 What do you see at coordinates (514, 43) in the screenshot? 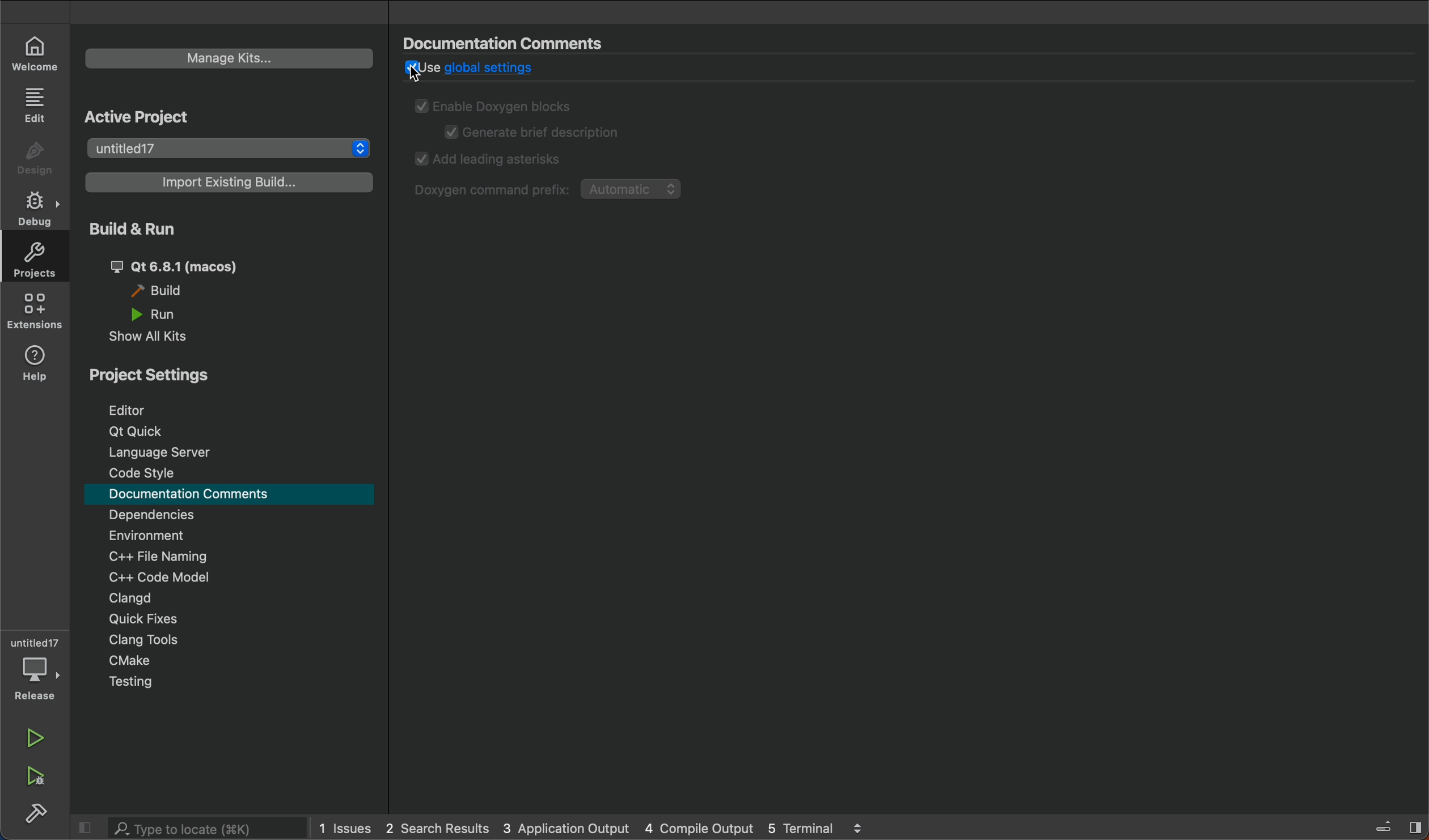
I see `documents commnets` at bounding box center [514, 43].